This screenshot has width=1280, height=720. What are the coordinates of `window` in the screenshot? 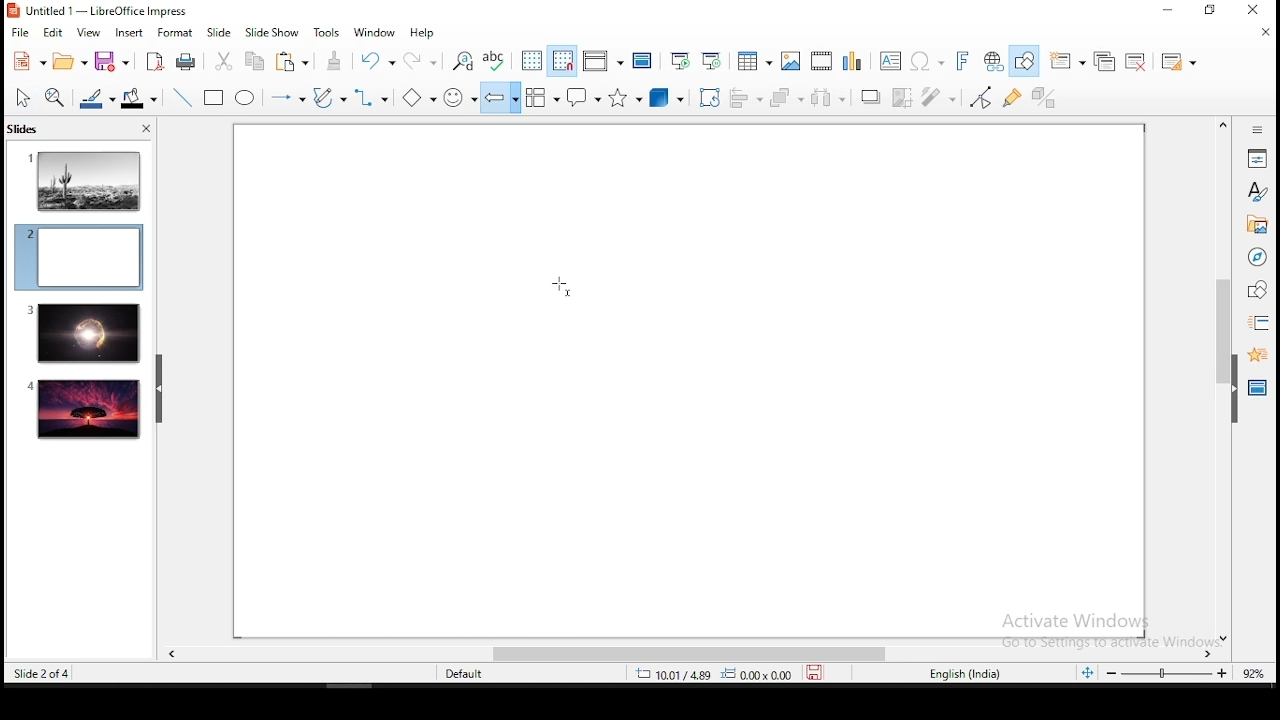 It's located at (373, 33).